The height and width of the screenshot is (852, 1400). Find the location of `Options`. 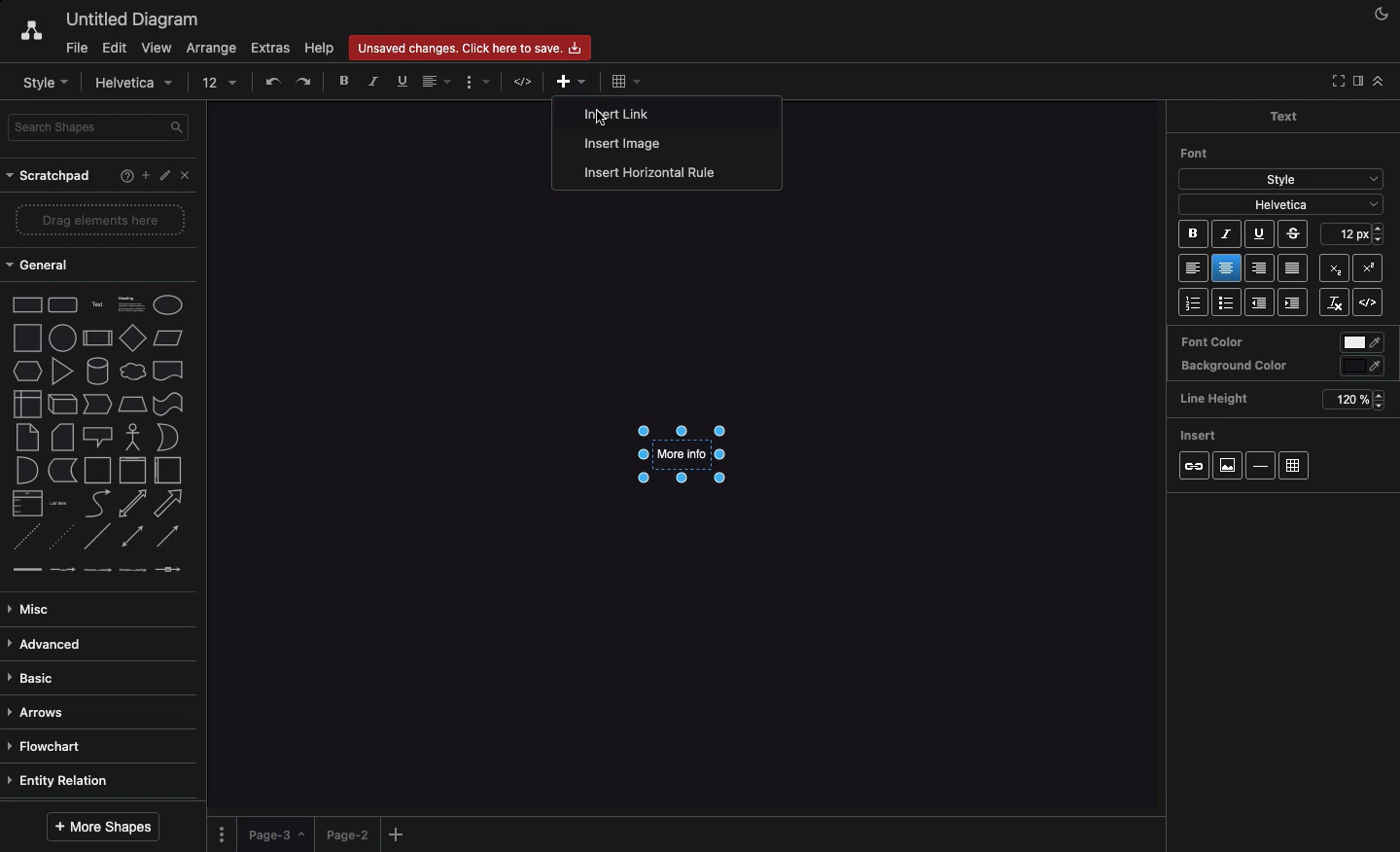

Options is located at coordinates (224, 834).